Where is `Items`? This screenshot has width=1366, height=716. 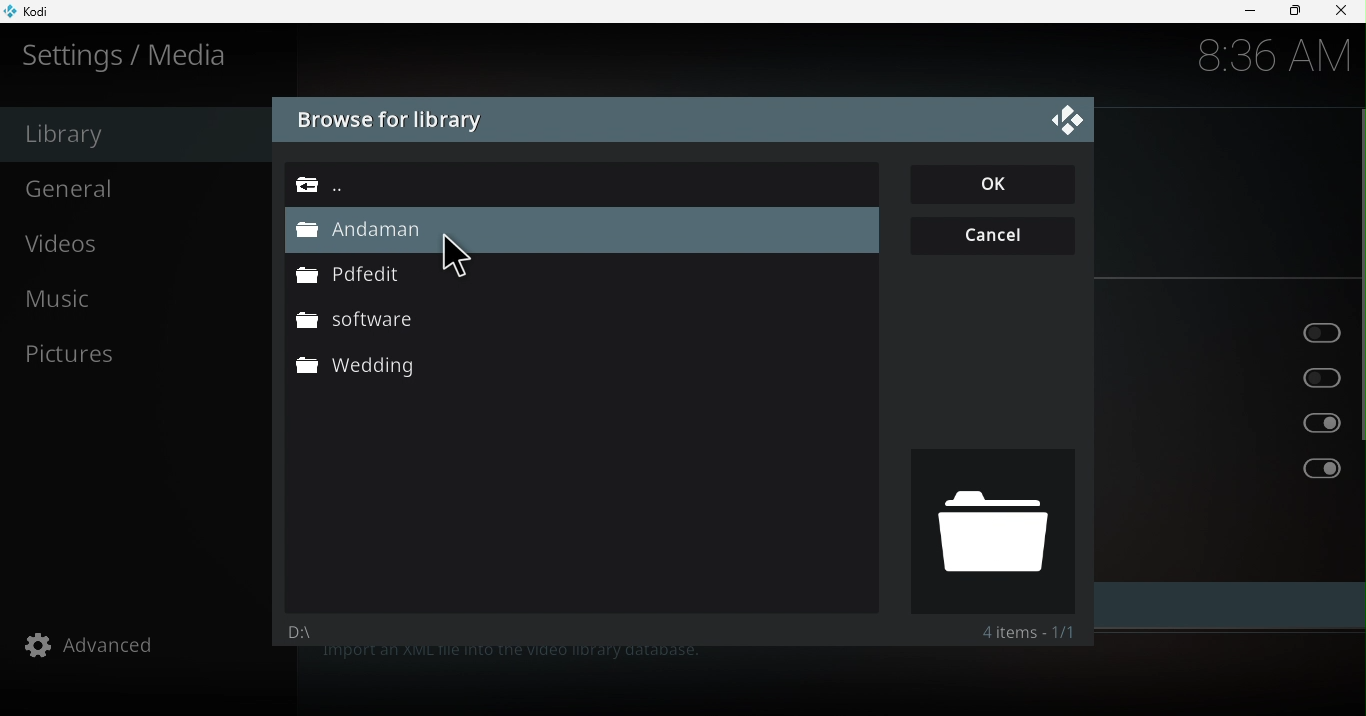
Items is located at coordinates (1006, 629).